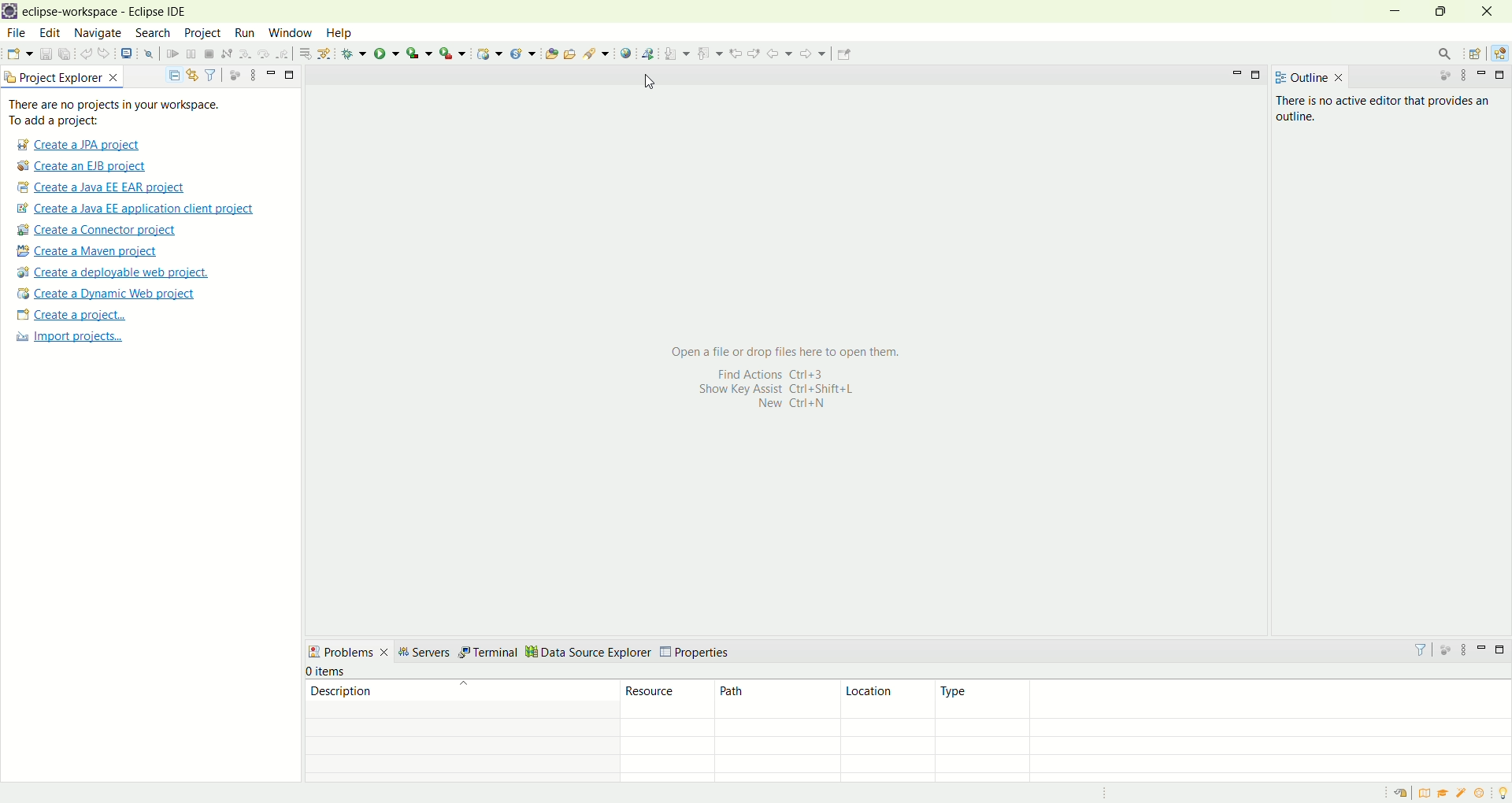  What do you see at coordinates (1503, 75) in the screenshot?
I see `maximize` at bounding box center [1503, 75].